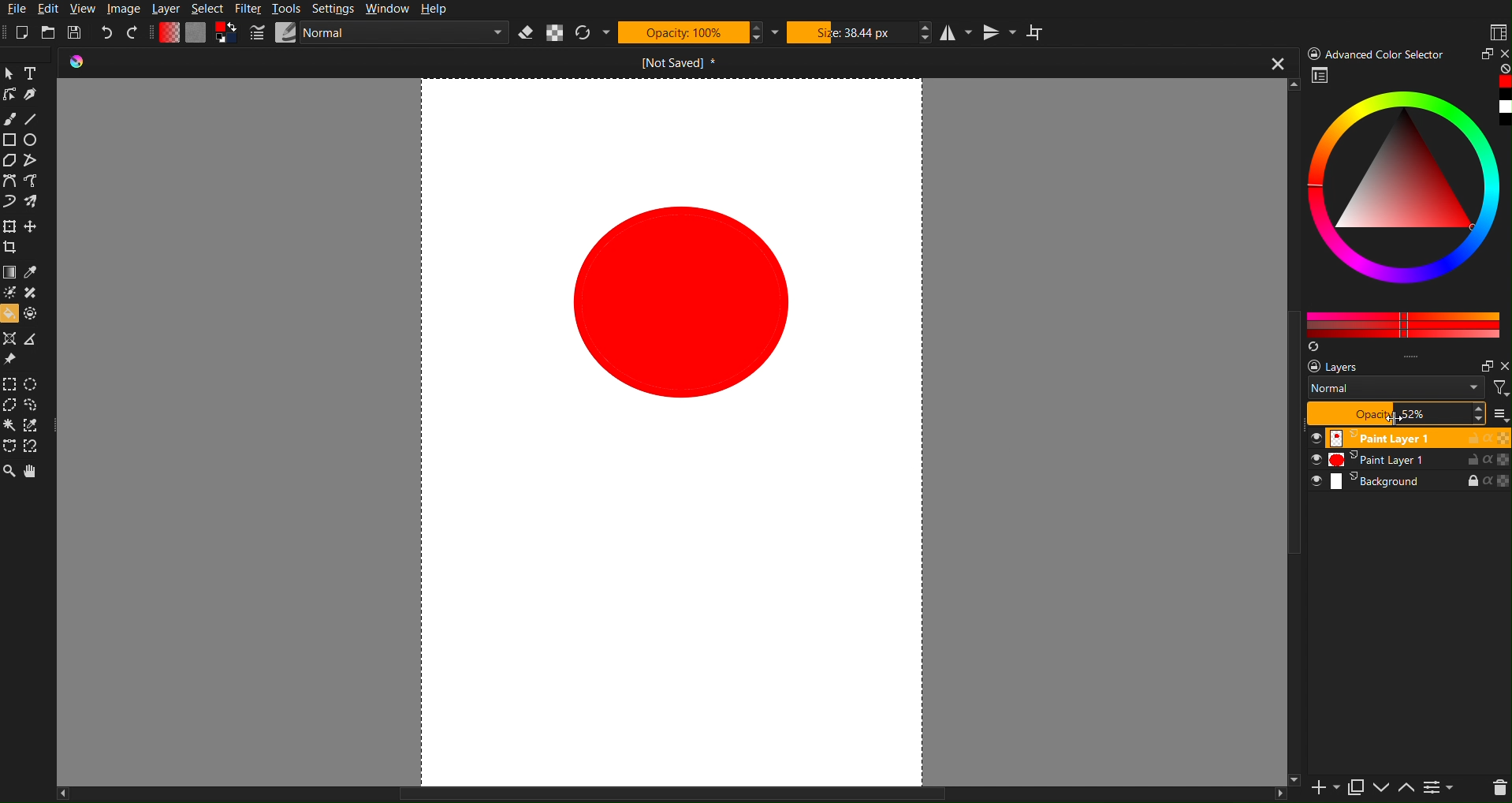  What do you see at coordinates (858, 33) in the screenshot?
I see `Size 38.44` at bounding box center [858, 33].